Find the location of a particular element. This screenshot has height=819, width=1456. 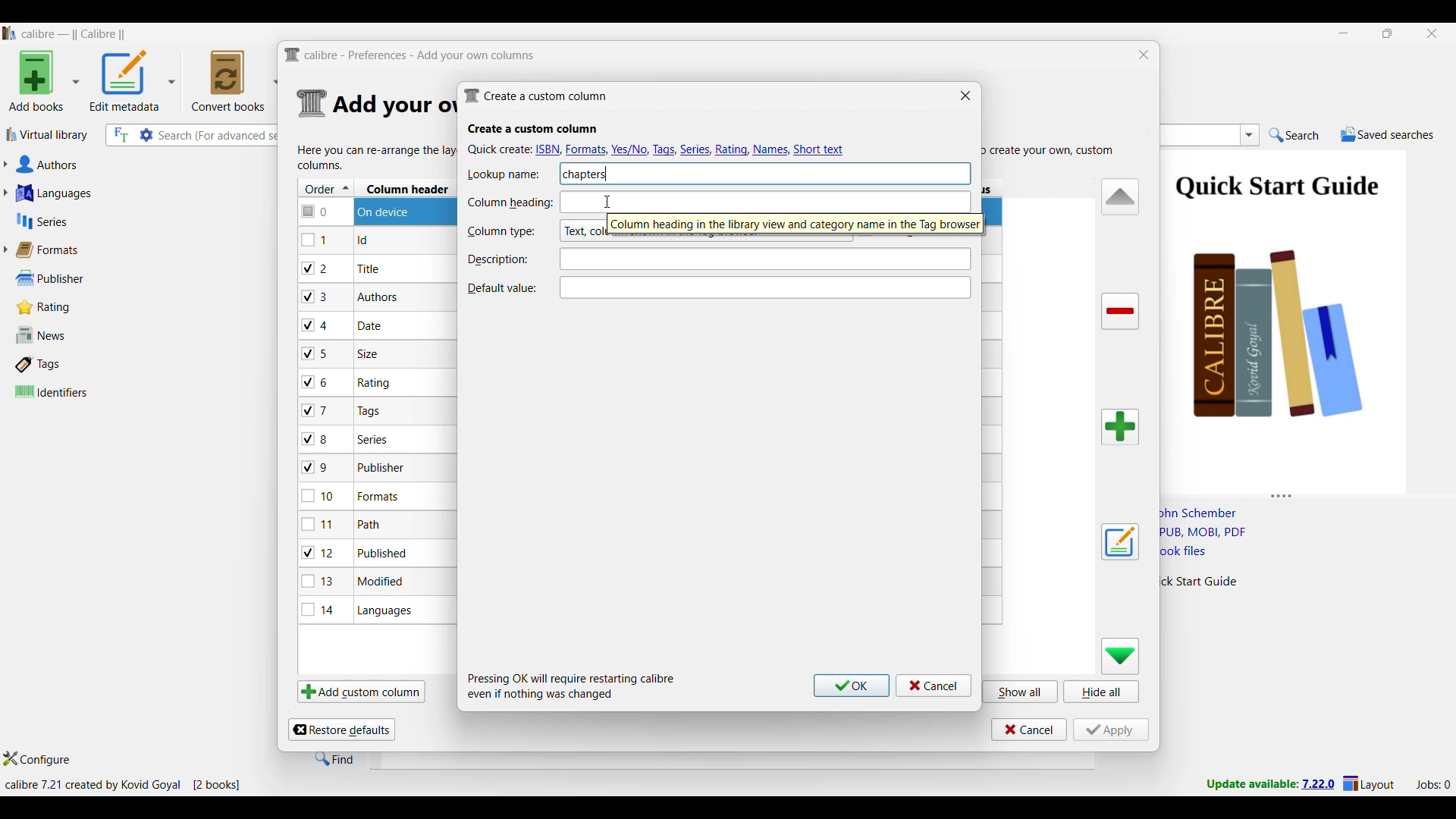

Window name is located at coordinates (535, 96).